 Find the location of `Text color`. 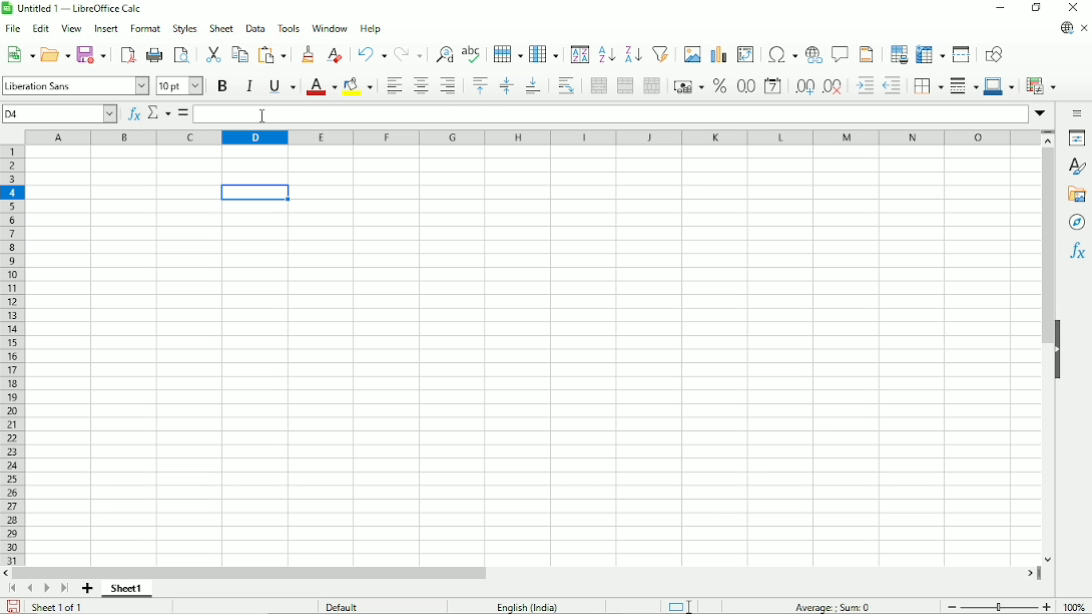

Text color is located at coordinates (323, 86).